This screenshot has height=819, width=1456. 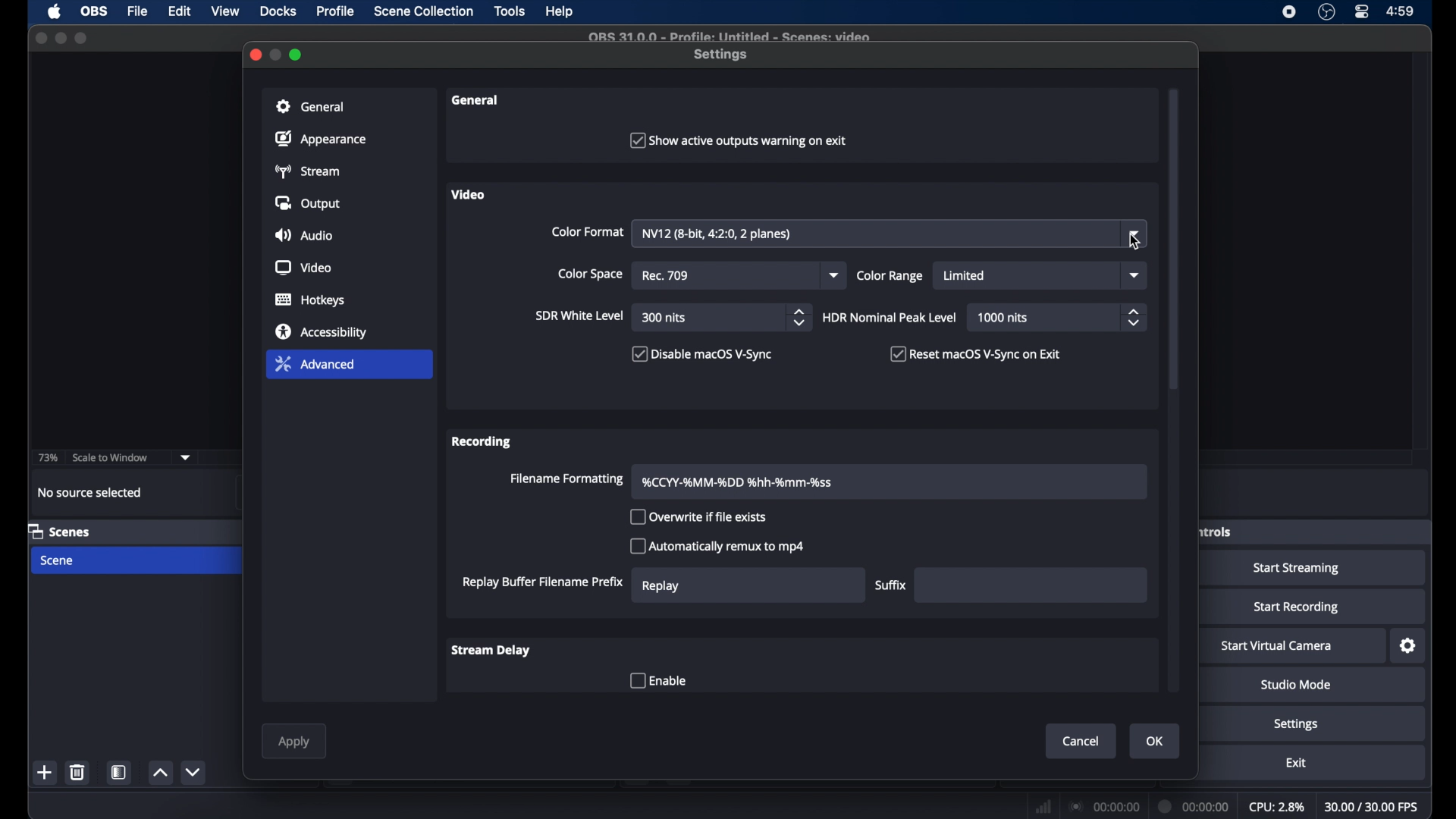 What do you see at coordinates (657, 680) in the screenshot?
I see `enable` at bounding box center [657, 680].